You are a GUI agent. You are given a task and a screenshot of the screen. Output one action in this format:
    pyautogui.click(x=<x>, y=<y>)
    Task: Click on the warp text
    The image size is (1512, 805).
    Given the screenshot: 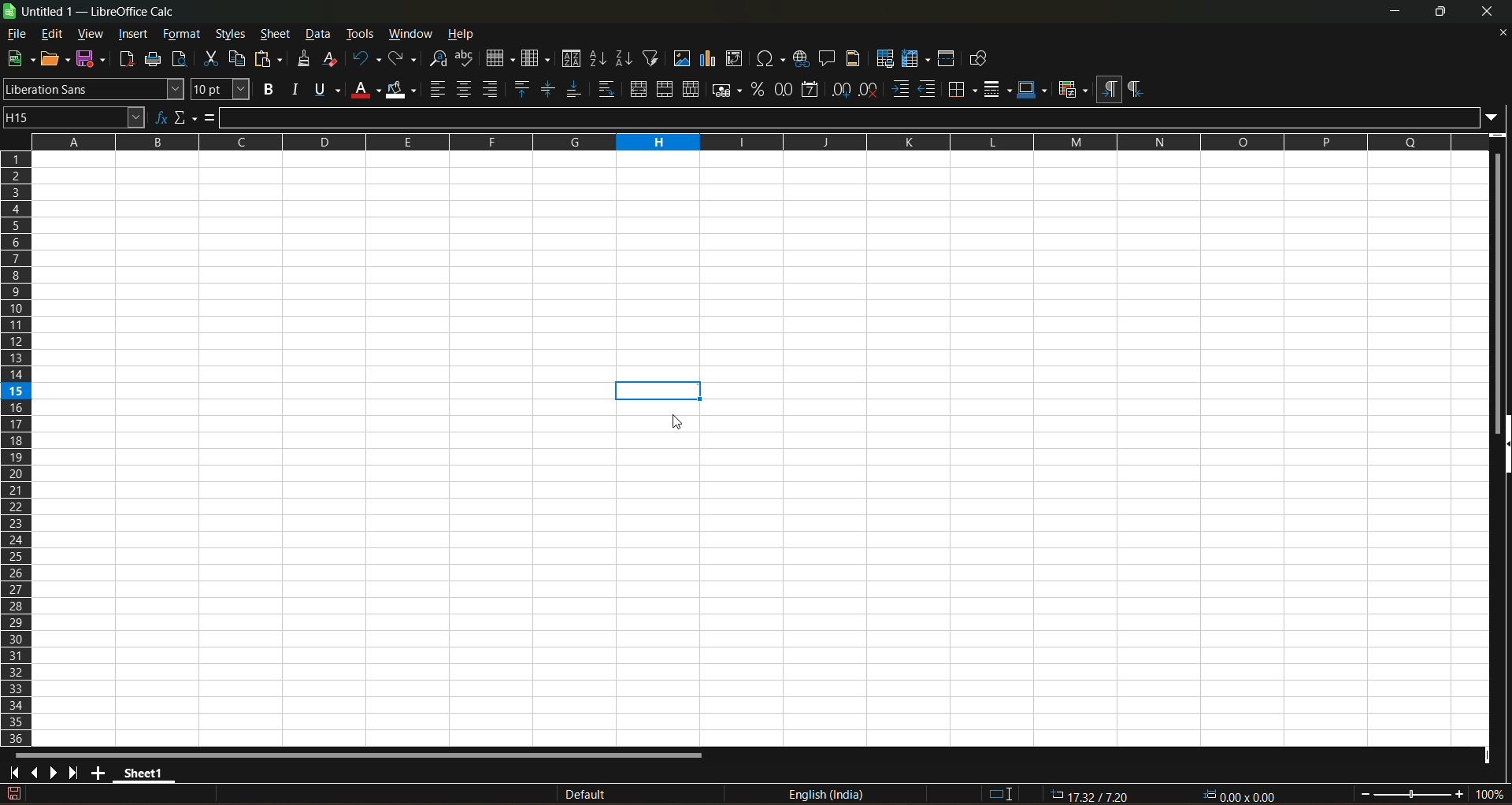 What is the action you would take?
    pyautogui.click(x=608, y=90)
    